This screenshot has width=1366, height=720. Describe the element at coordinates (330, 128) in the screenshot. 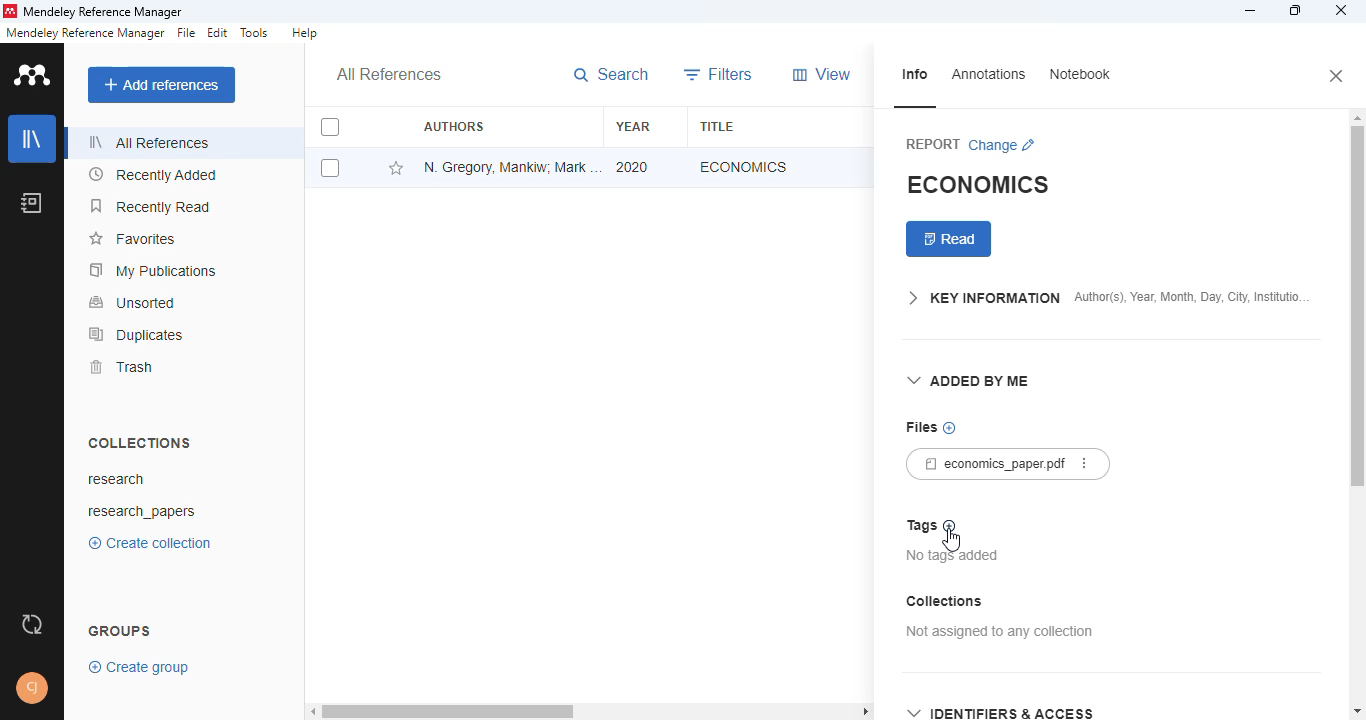

I see `select` at that location.